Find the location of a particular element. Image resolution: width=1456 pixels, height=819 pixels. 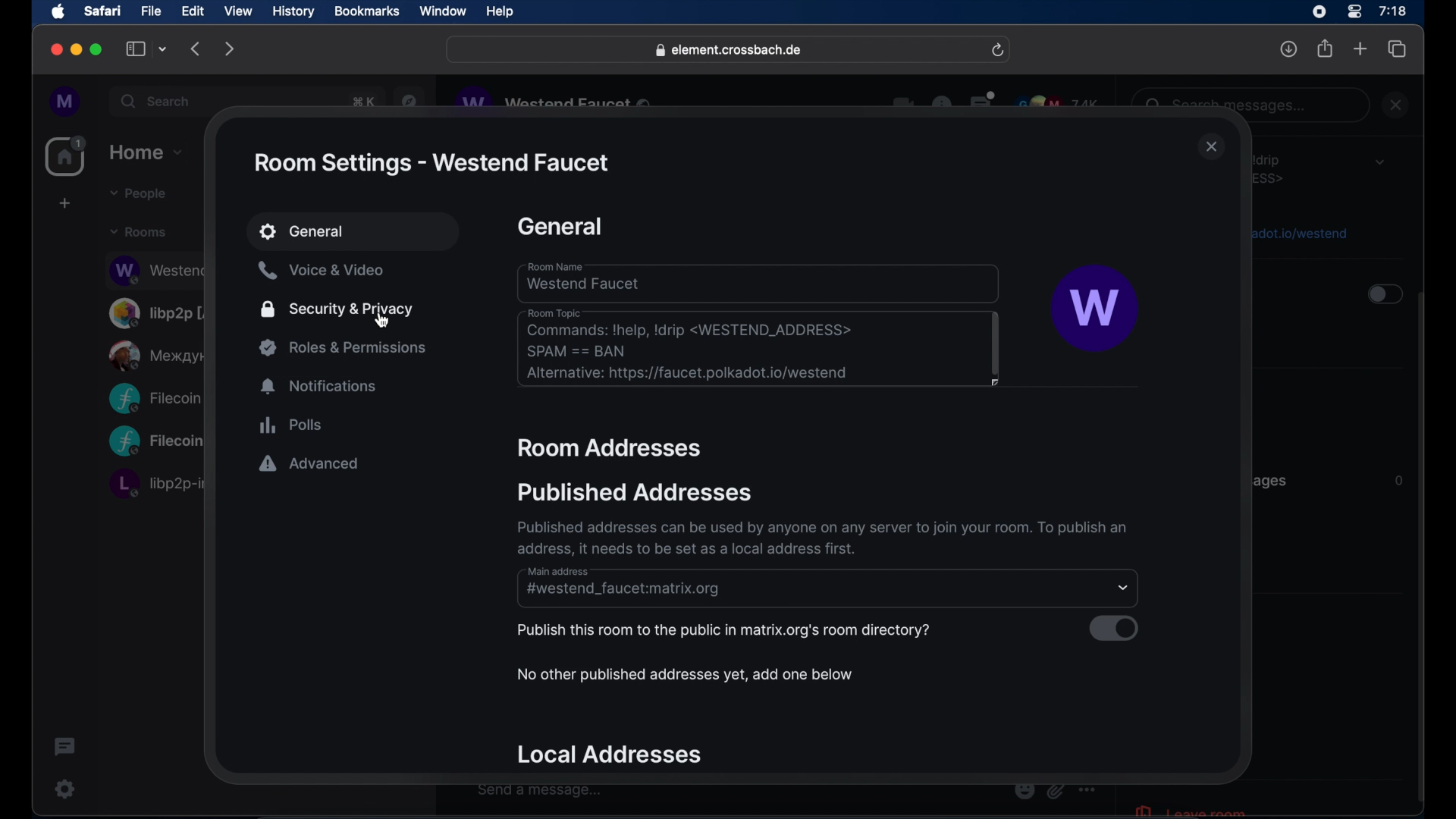

publish this room to the public in matrix.org's room directory is located at coordinates (723, 632).